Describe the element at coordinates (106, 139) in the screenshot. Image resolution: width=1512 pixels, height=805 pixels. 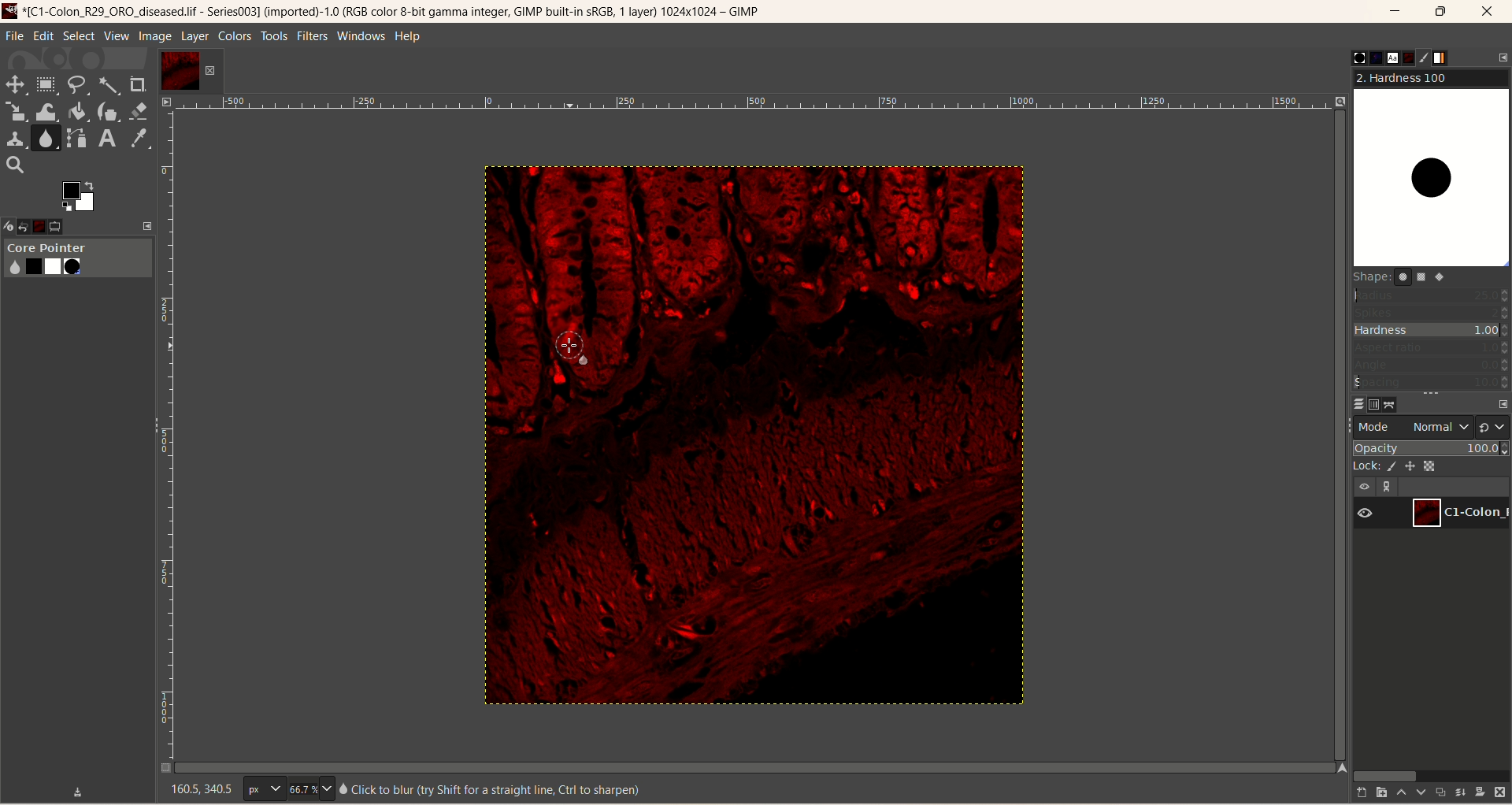
I see `text tool` at that location.